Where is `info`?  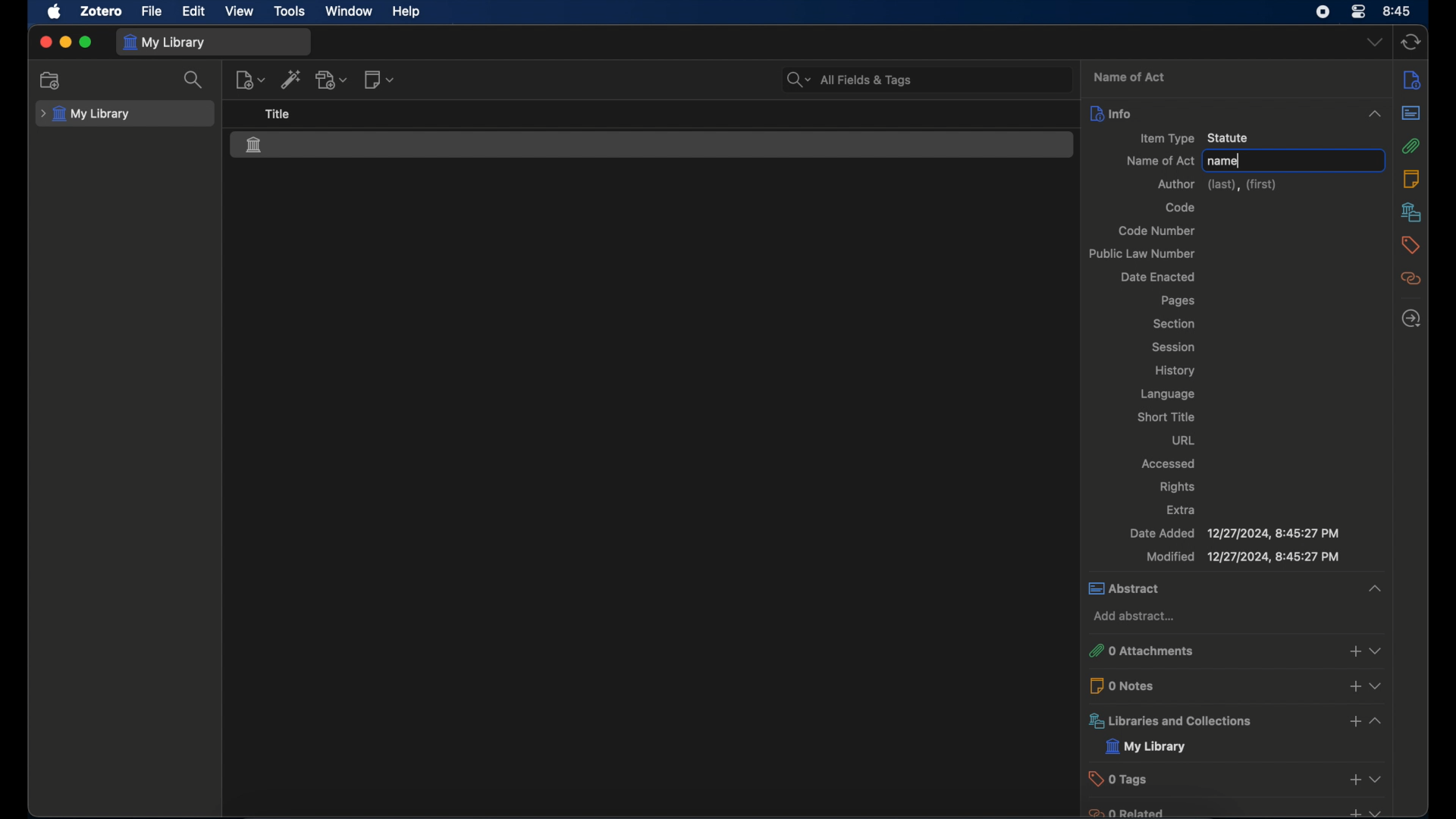
info is located at coordinates (1216, 113).